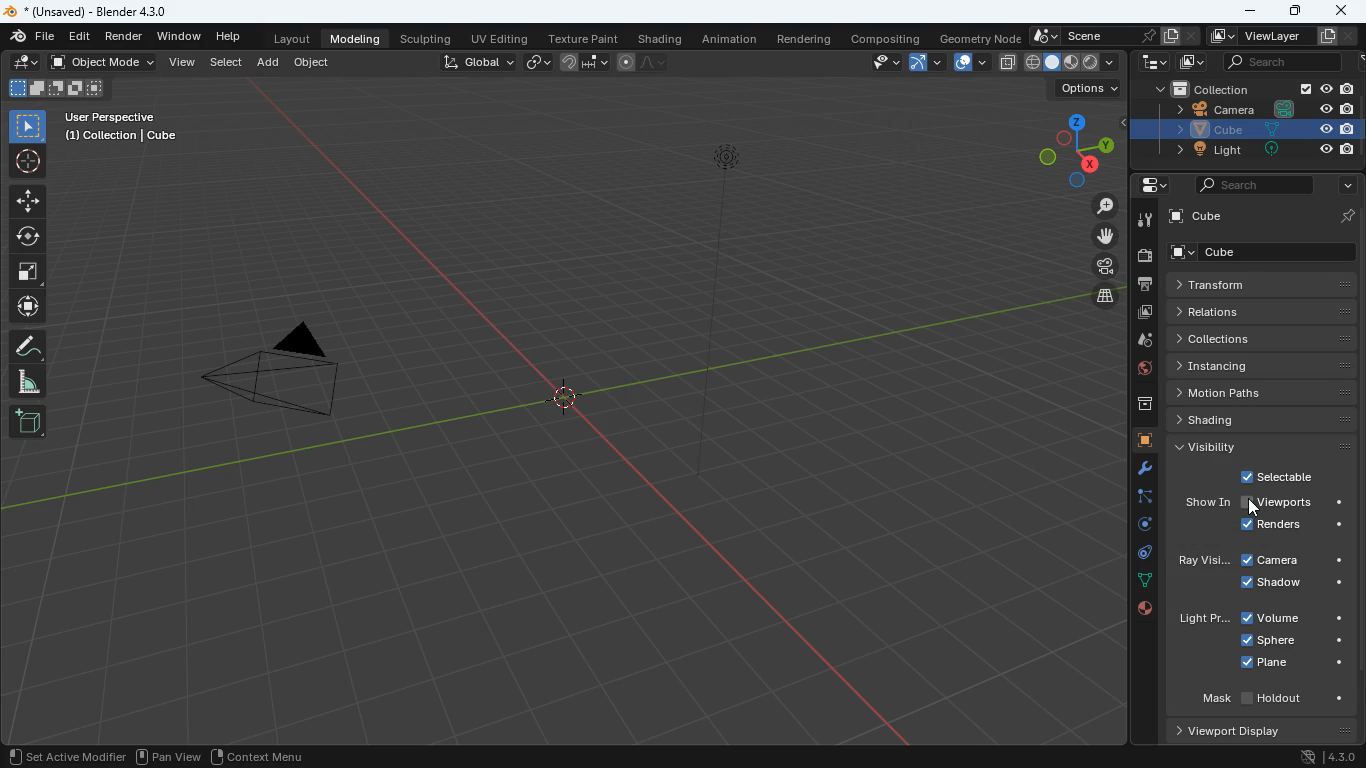  What do you see at coordinates (1188, 63) in the screenshot?
I see `image` at bounding box center [1188, 63].